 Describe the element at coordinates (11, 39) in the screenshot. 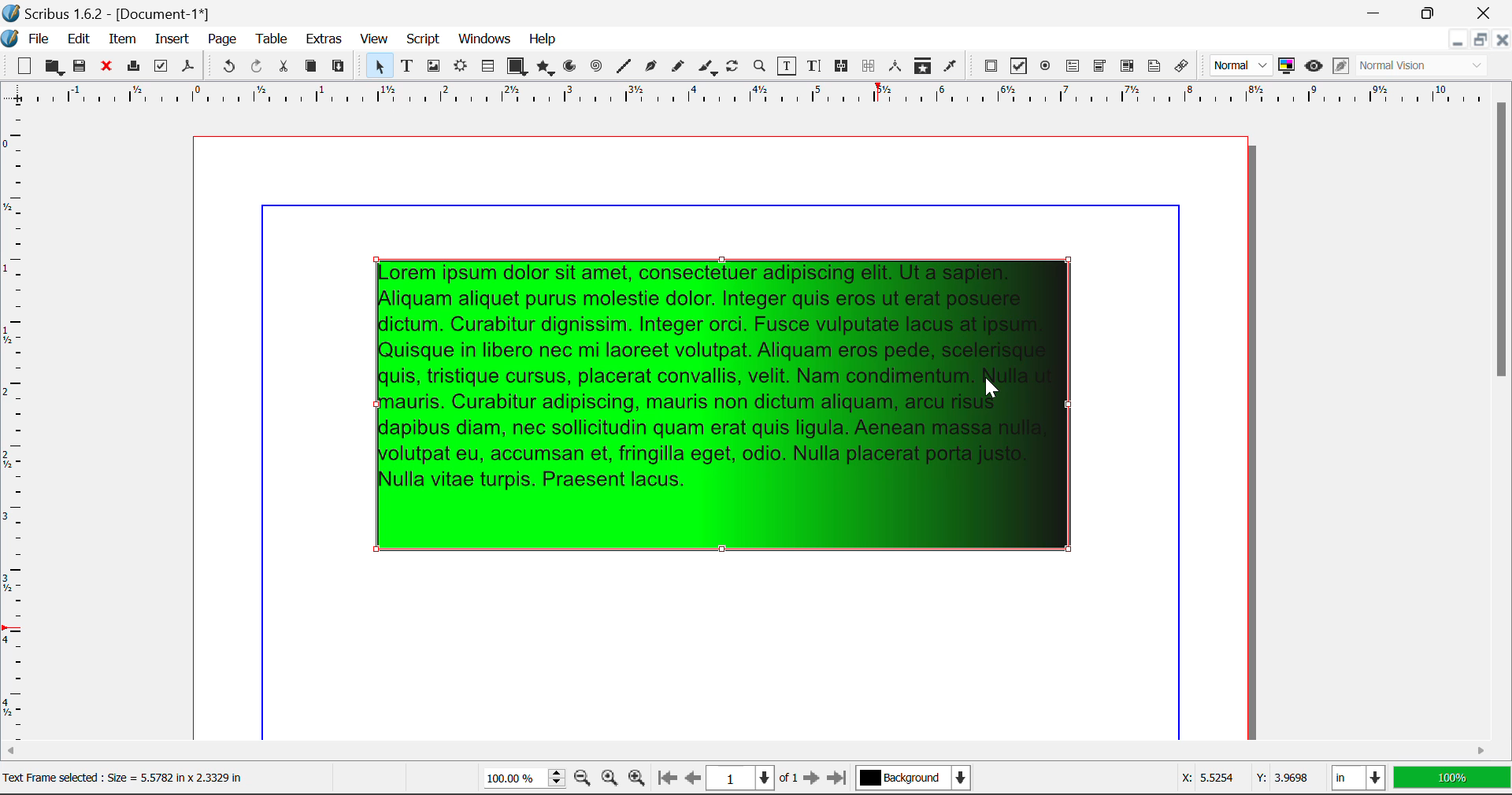

I see `scriber logo` at that location.